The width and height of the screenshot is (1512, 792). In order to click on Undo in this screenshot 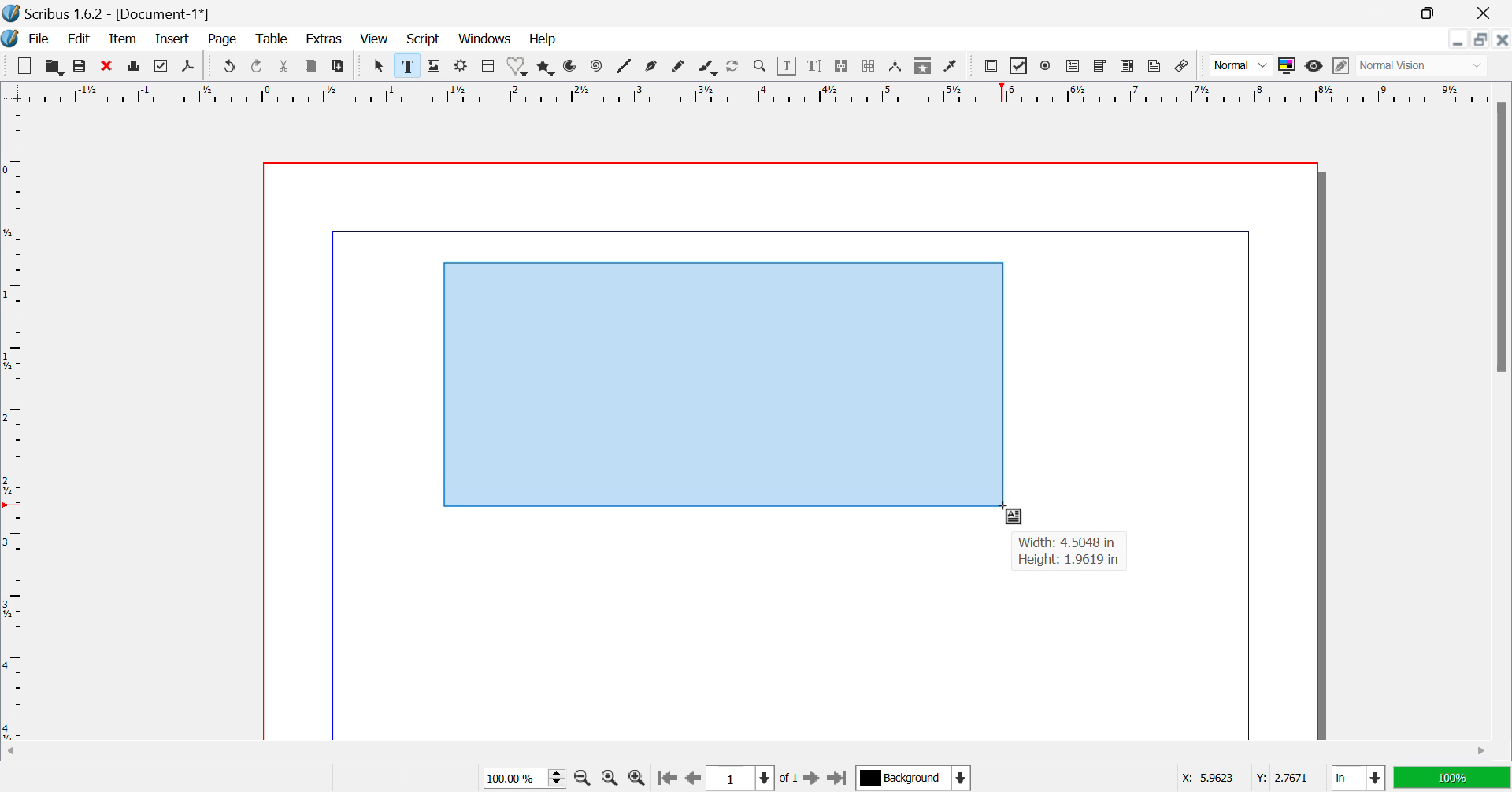, I will do `click(228, 68)`.